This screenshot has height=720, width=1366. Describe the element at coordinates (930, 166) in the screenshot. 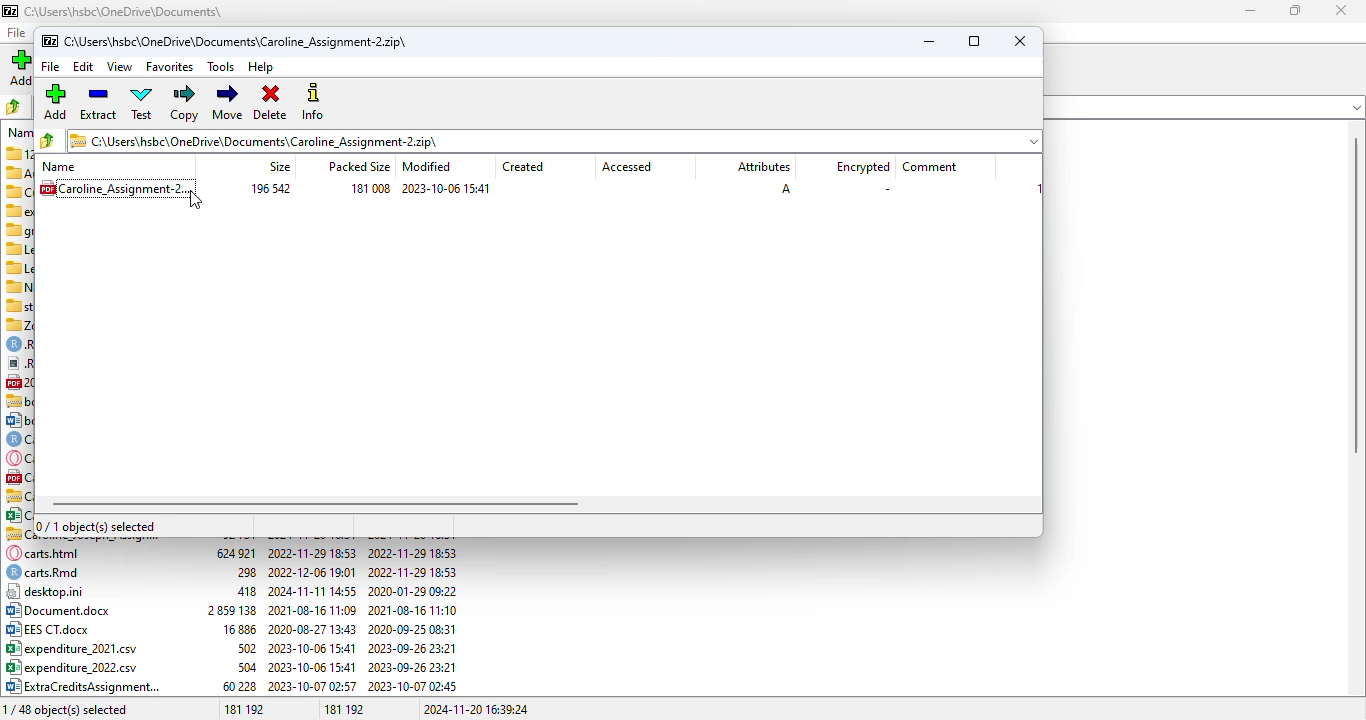

I see `comment` at that location.